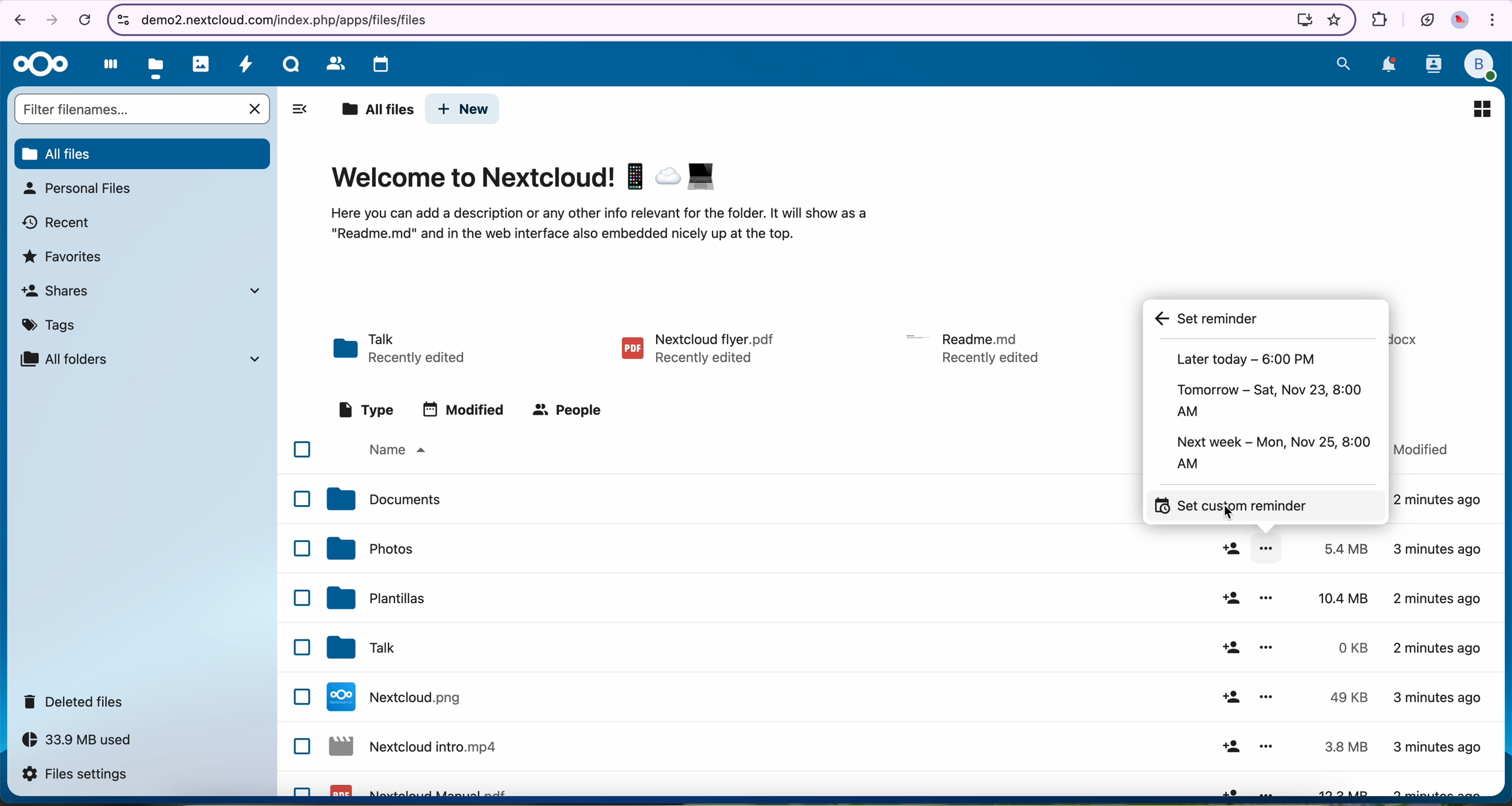 This screenshot has height=806, width=1512. I want to click on controls, so click(121, 18).